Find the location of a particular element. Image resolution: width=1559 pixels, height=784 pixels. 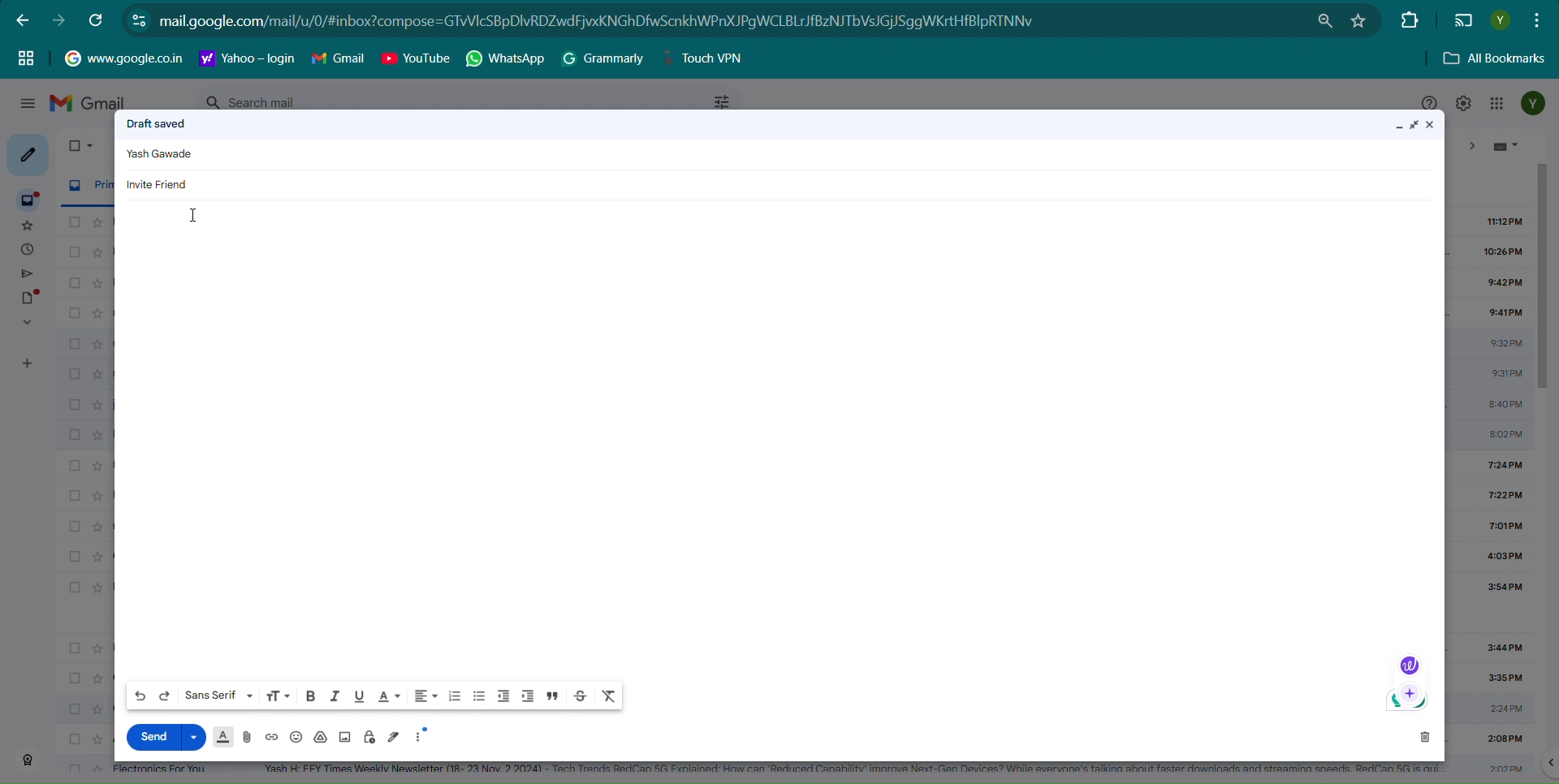

Underline is located at coordinates (358, 696).